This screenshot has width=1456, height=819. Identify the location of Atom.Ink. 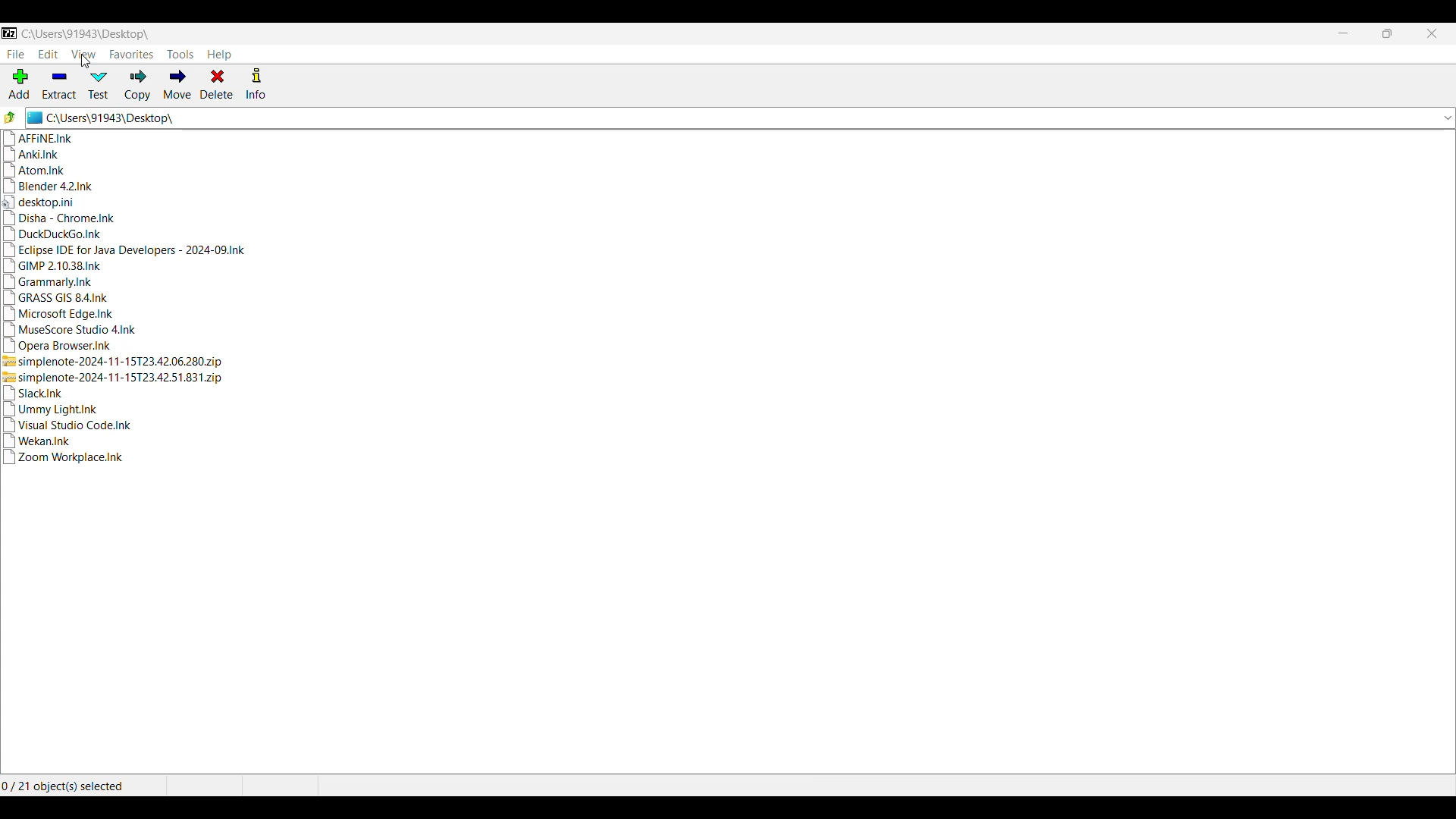
(36, 171).